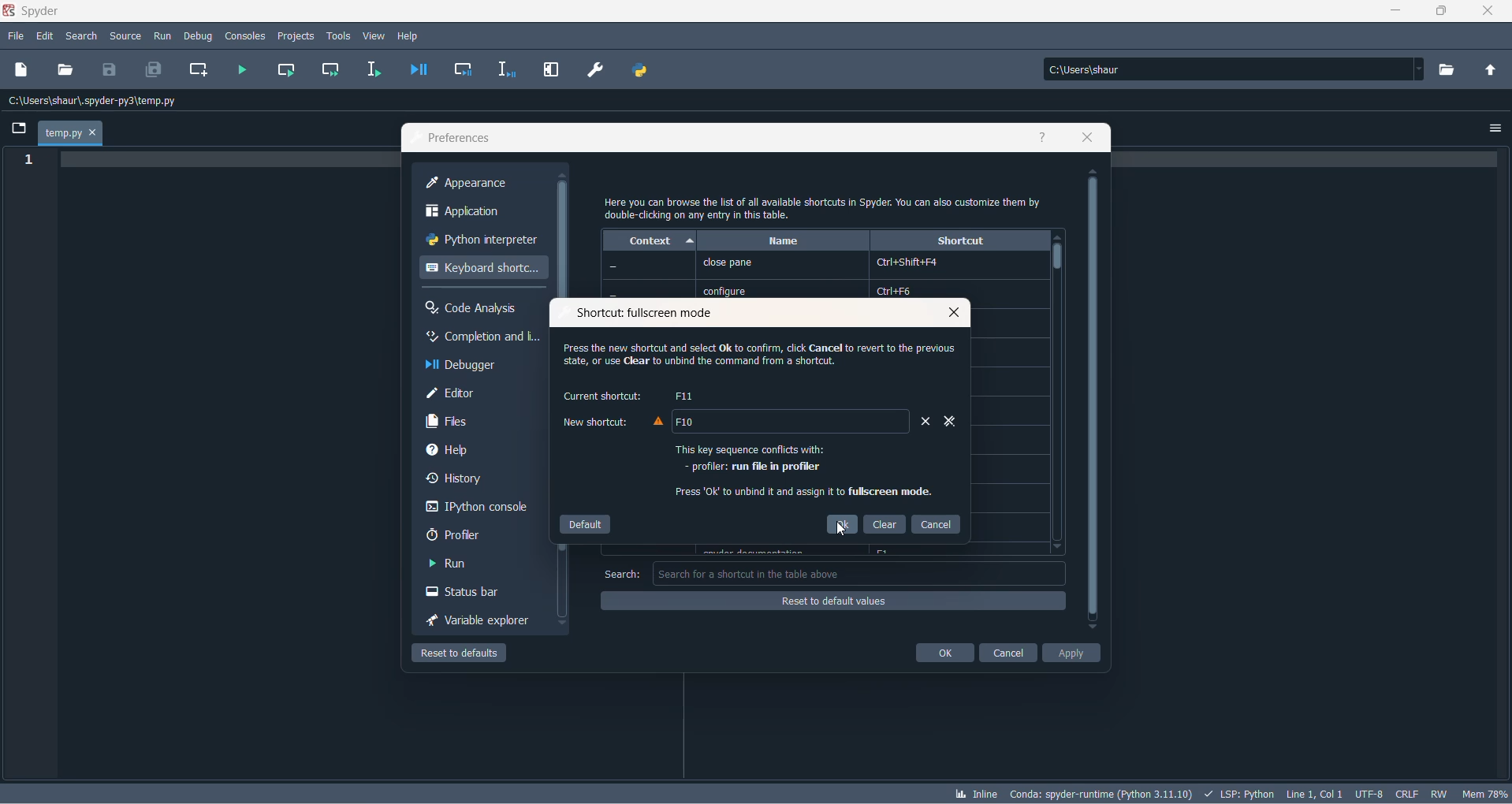 This screenshot has width=1512, height=804. I want to click on run selection, so click(371, 70).